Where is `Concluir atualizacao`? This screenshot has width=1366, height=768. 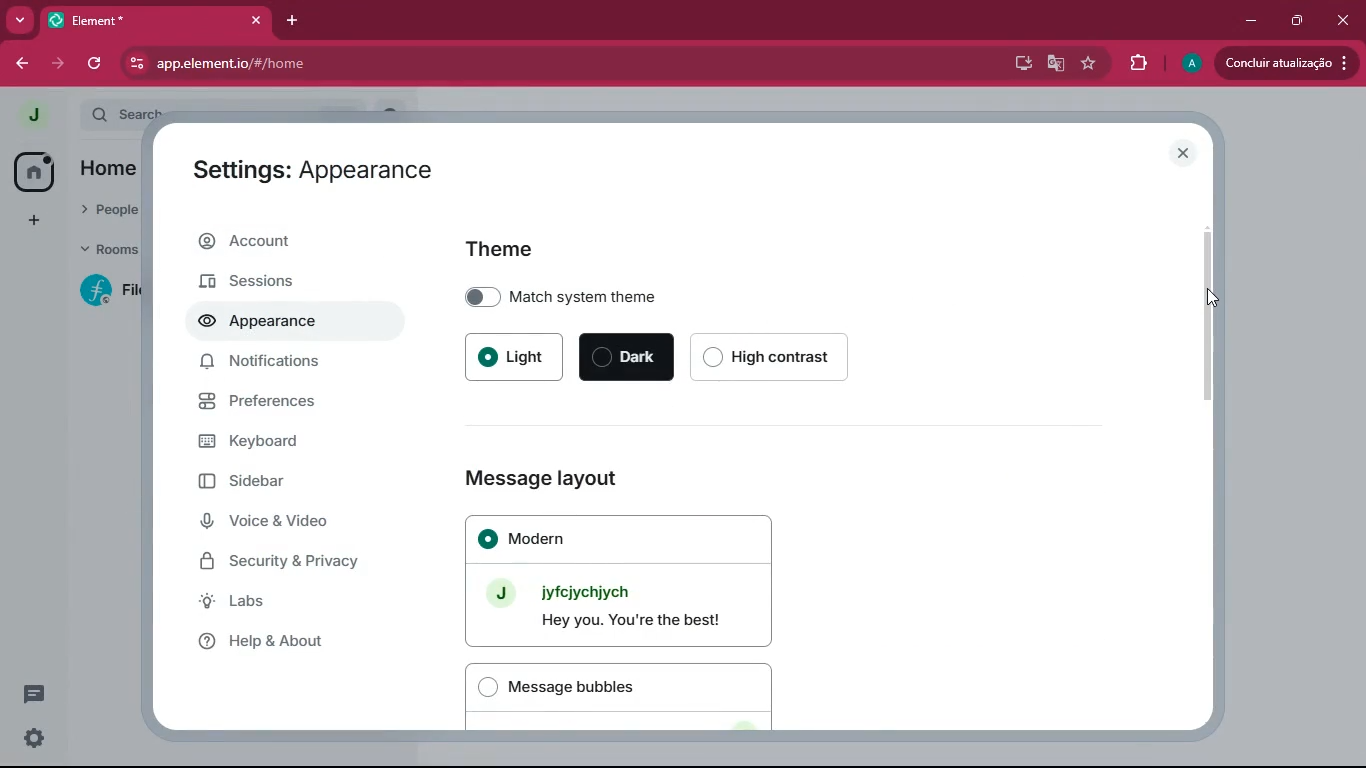
Concluir atualizacao is located at coordinates (1290, 62).